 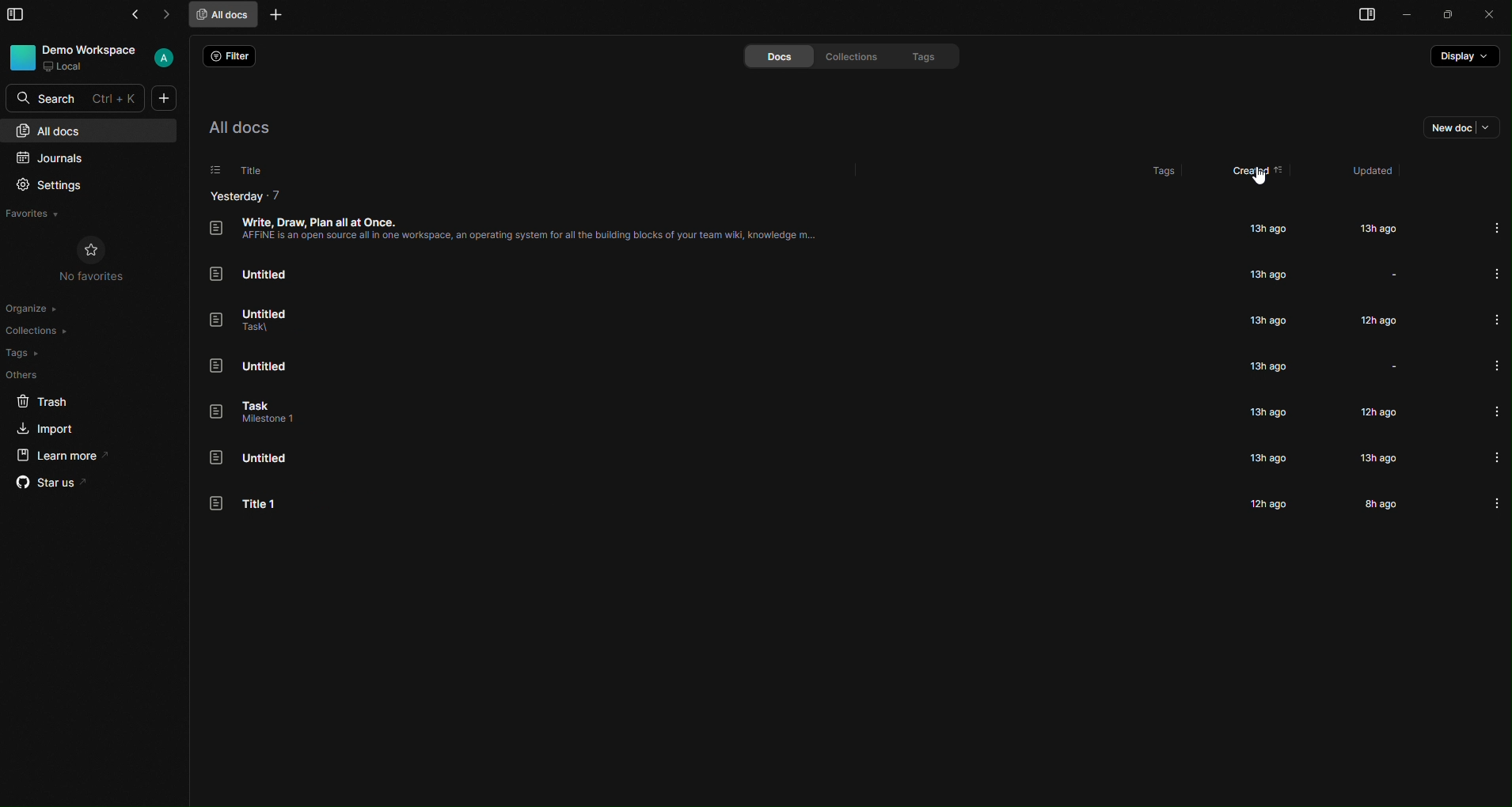 What do you see at coordinates (58, 483) in the screenshot?
I see `star us` at bounding box center [58, 483].